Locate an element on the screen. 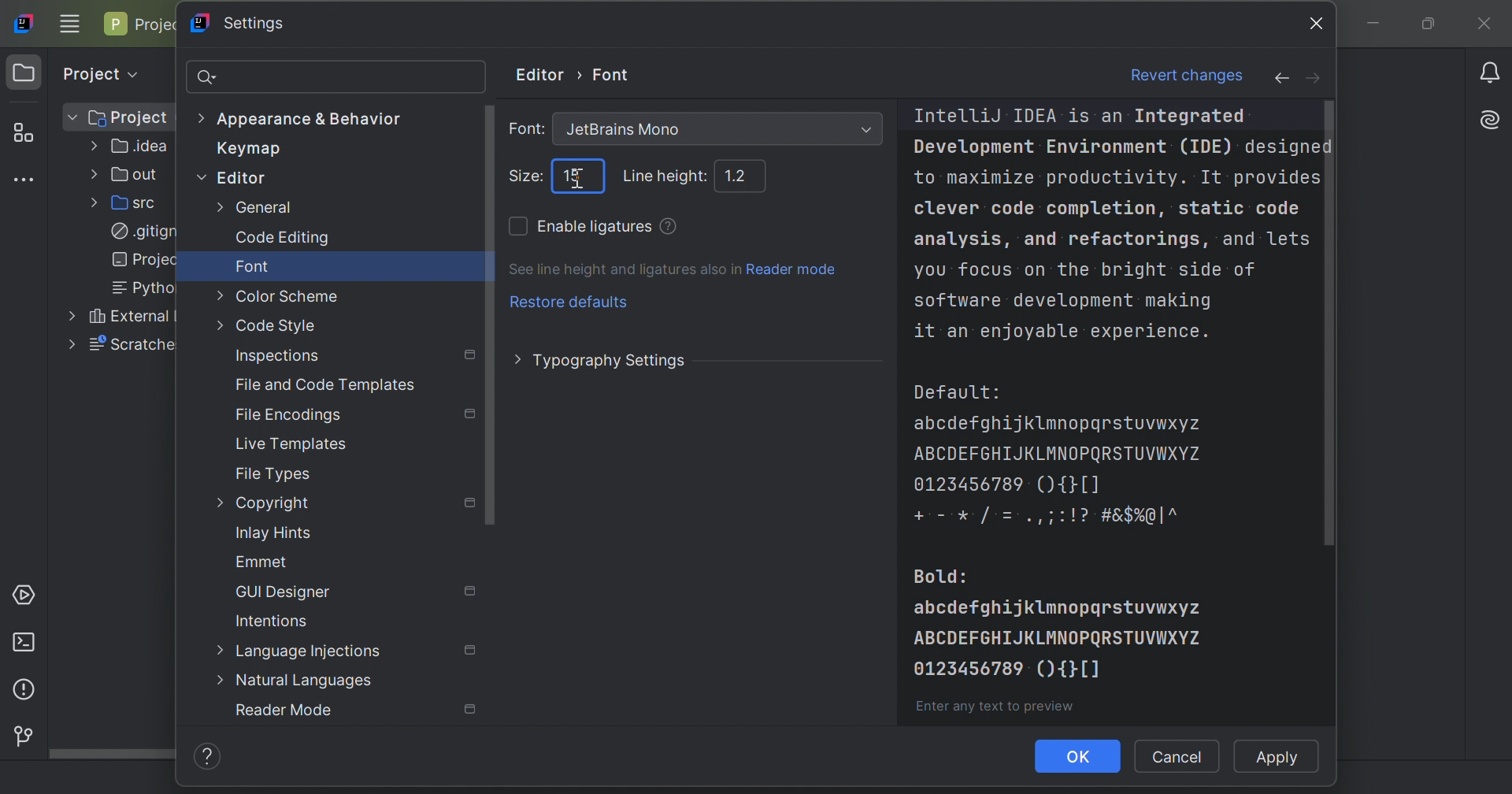  More tool windows is located at coordinates (28, 180).